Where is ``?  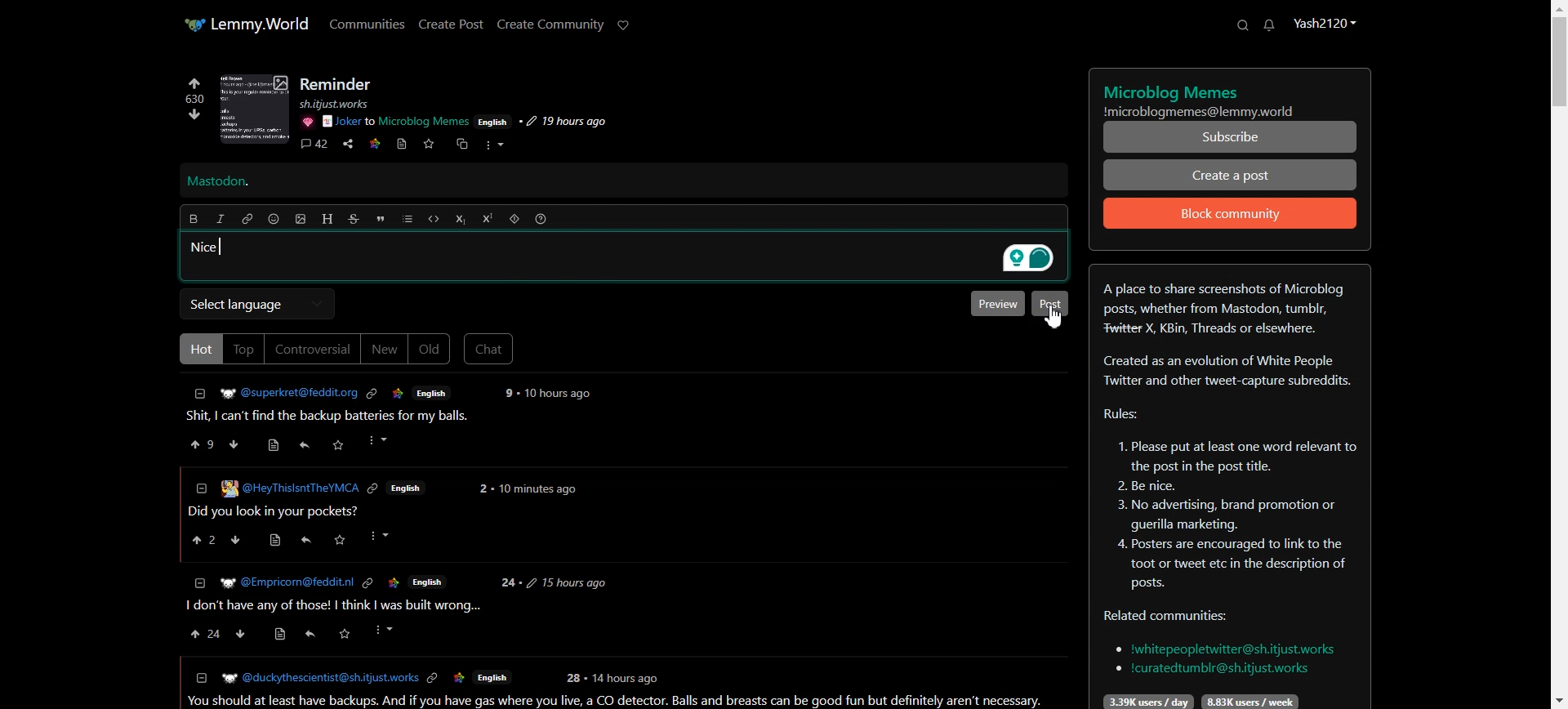  is located at coordinates (385, 630).